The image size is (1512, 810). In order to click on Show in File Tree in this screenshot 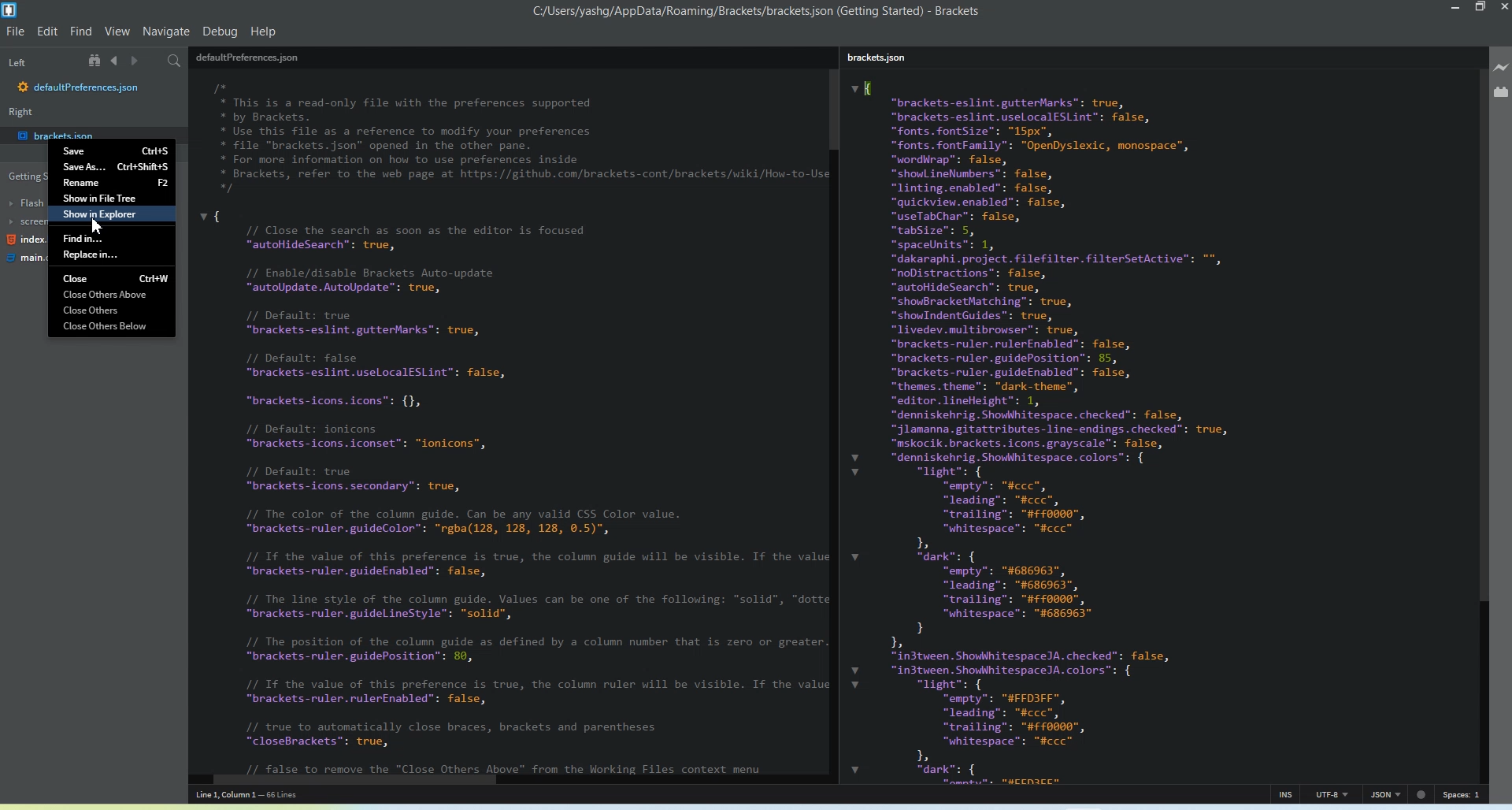, I will do `click(111, 197)`.